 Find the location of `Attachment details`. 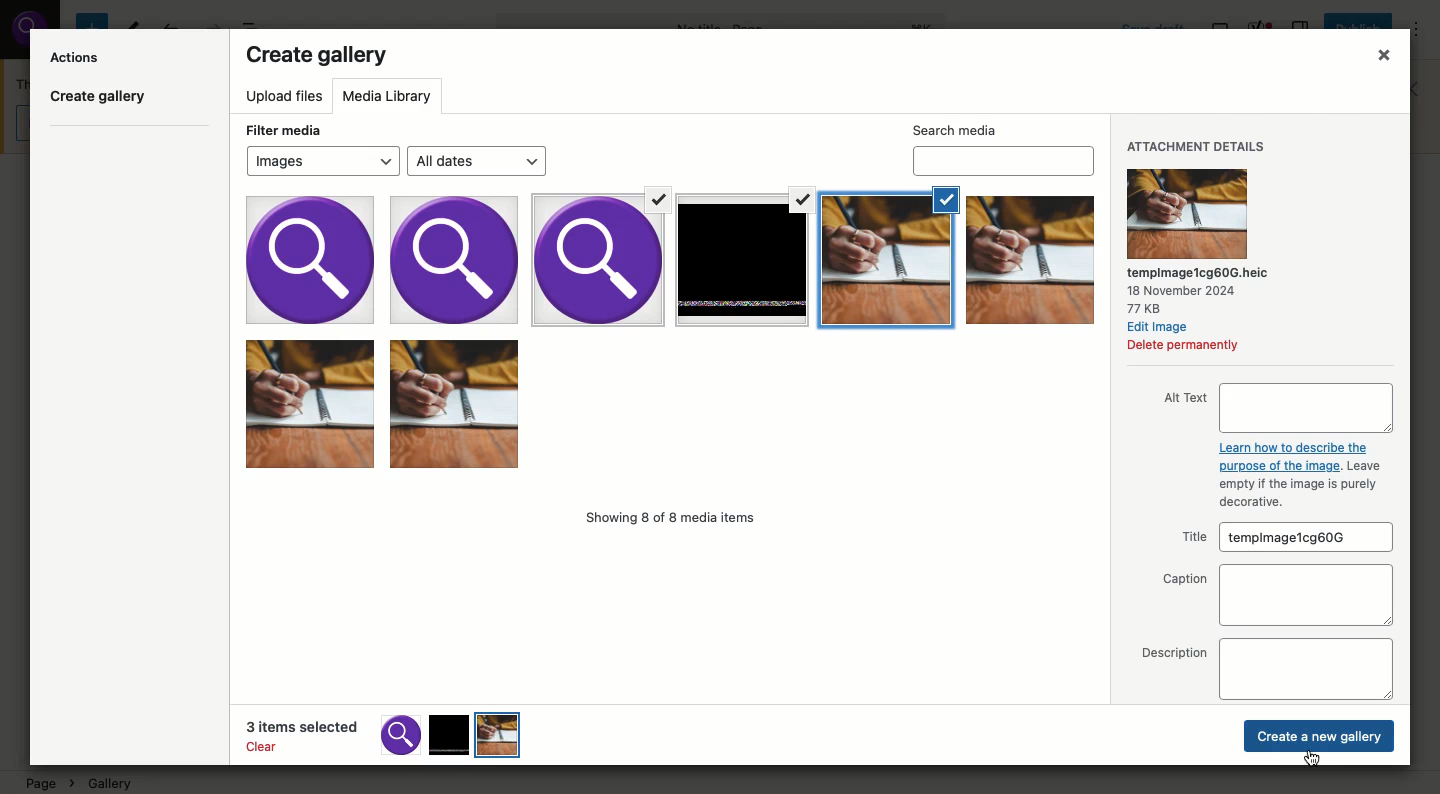

Attachment details is located at coordinates (1197, 144).